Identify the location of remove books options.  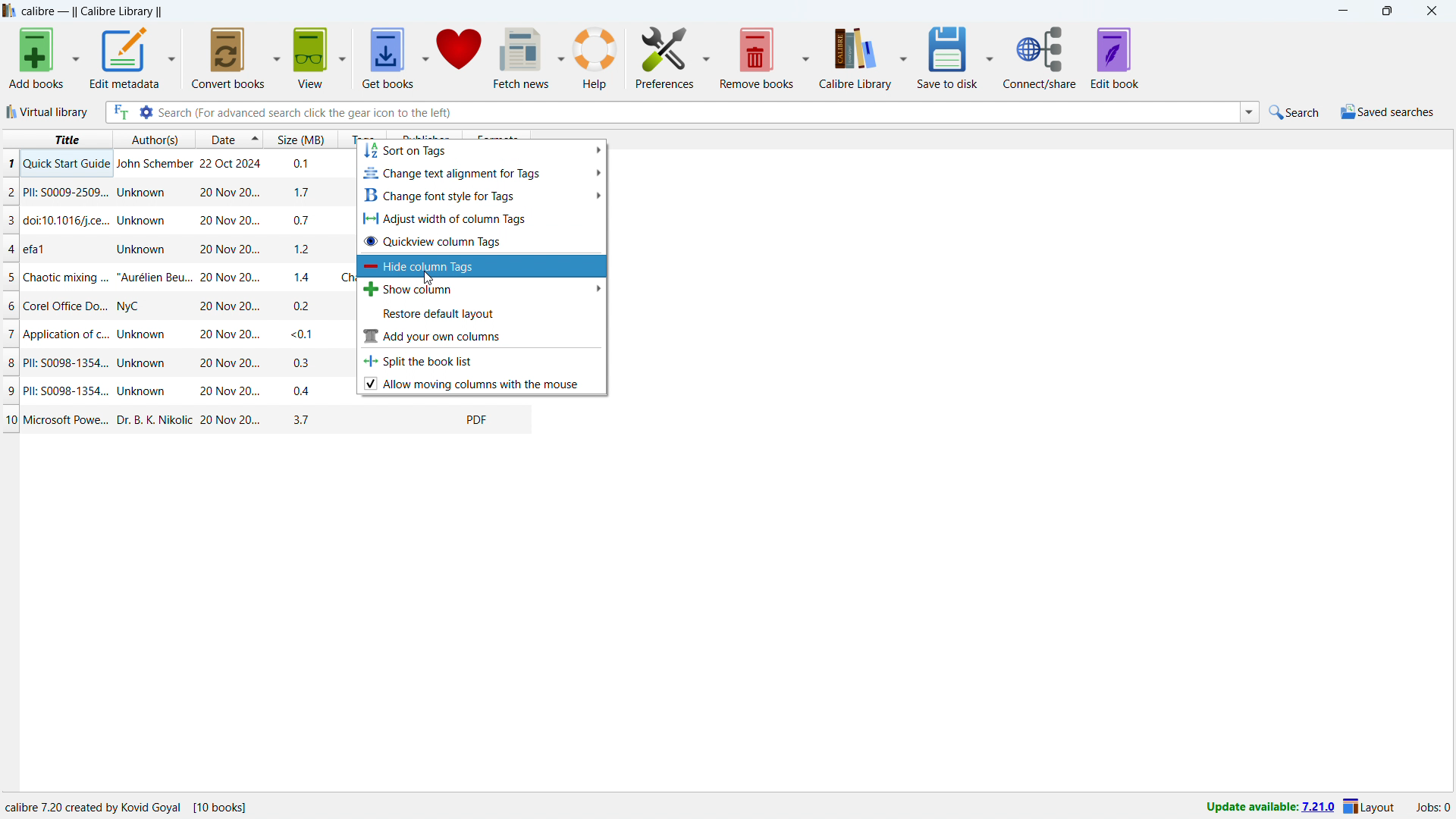
(807, 58).